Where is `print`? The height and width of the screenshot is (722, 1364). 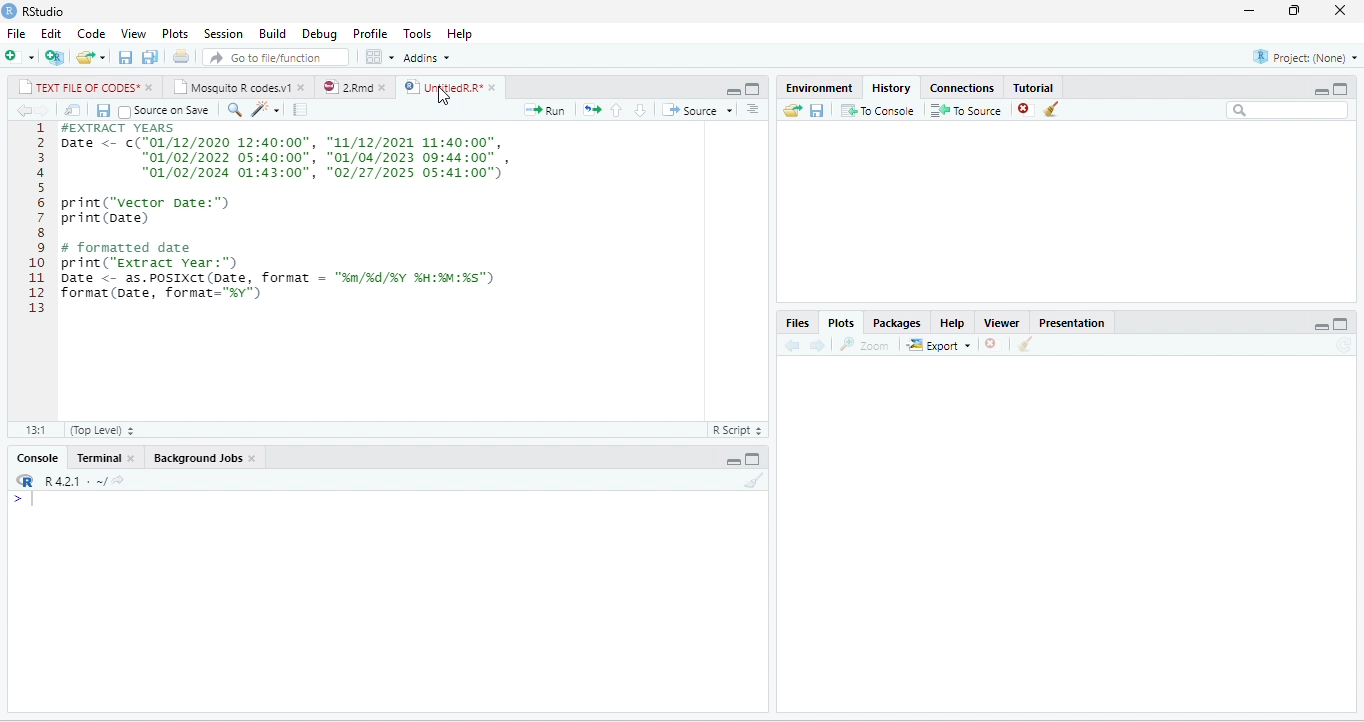 print is located at coordinates (180, 56).